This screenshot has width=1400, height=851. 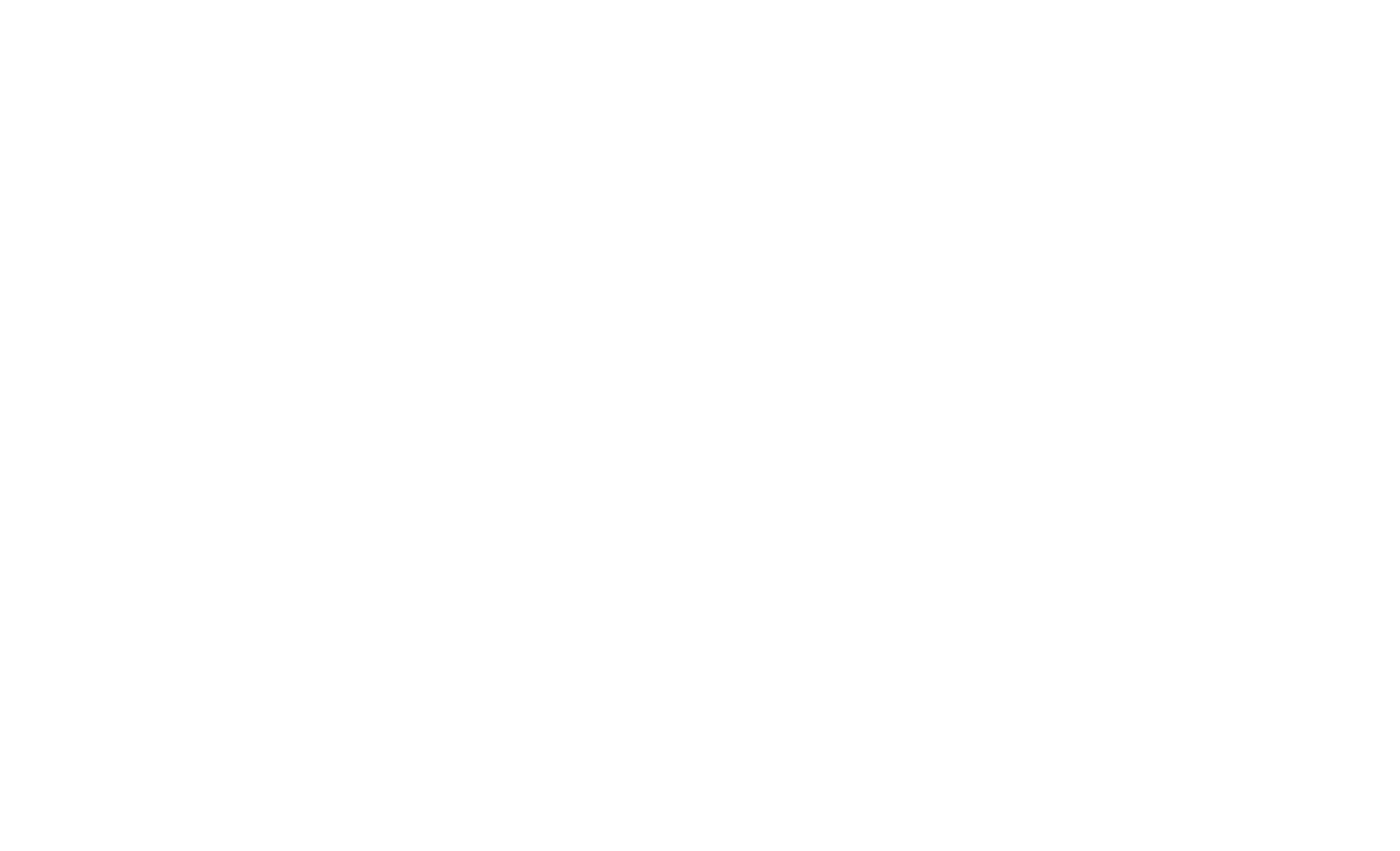 I want to click on Scene, so click(x=135, y=592).